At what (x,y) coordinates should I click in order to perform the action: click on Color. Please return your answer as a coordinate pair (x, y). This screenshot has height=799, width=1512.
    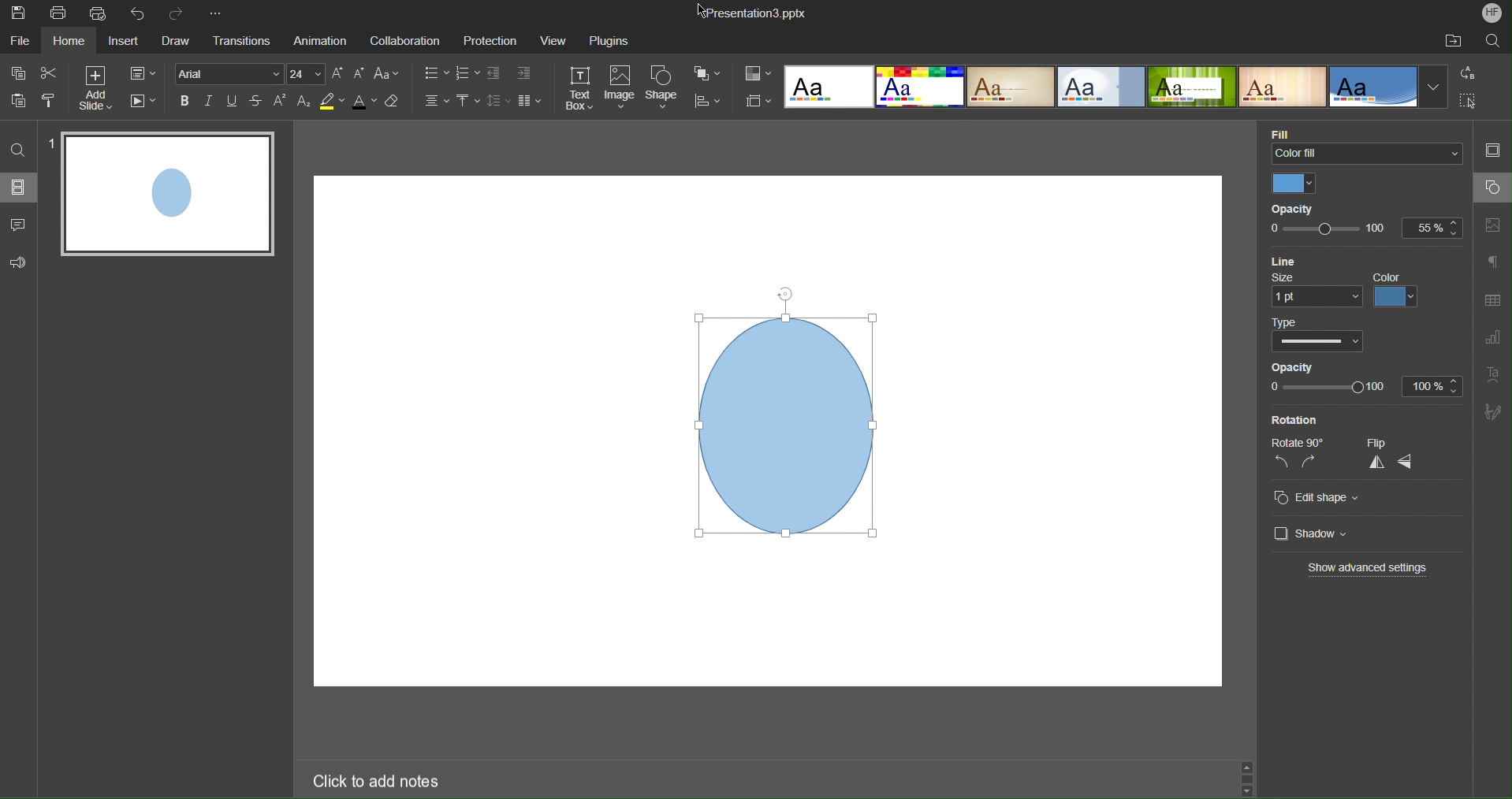
    Looking at the image, I should click on (1298, 184).